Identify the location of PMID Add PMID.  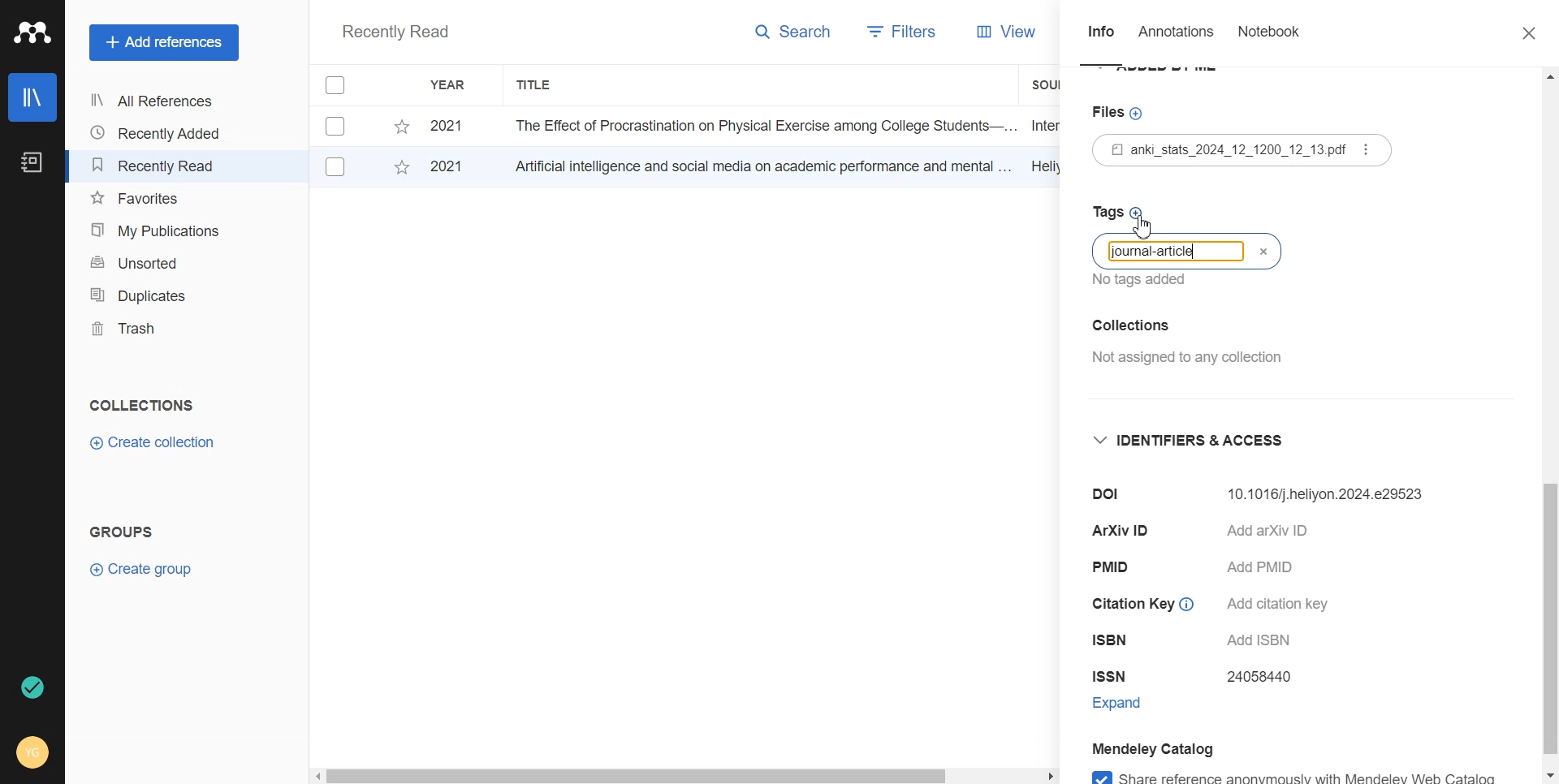
(1204, 570).